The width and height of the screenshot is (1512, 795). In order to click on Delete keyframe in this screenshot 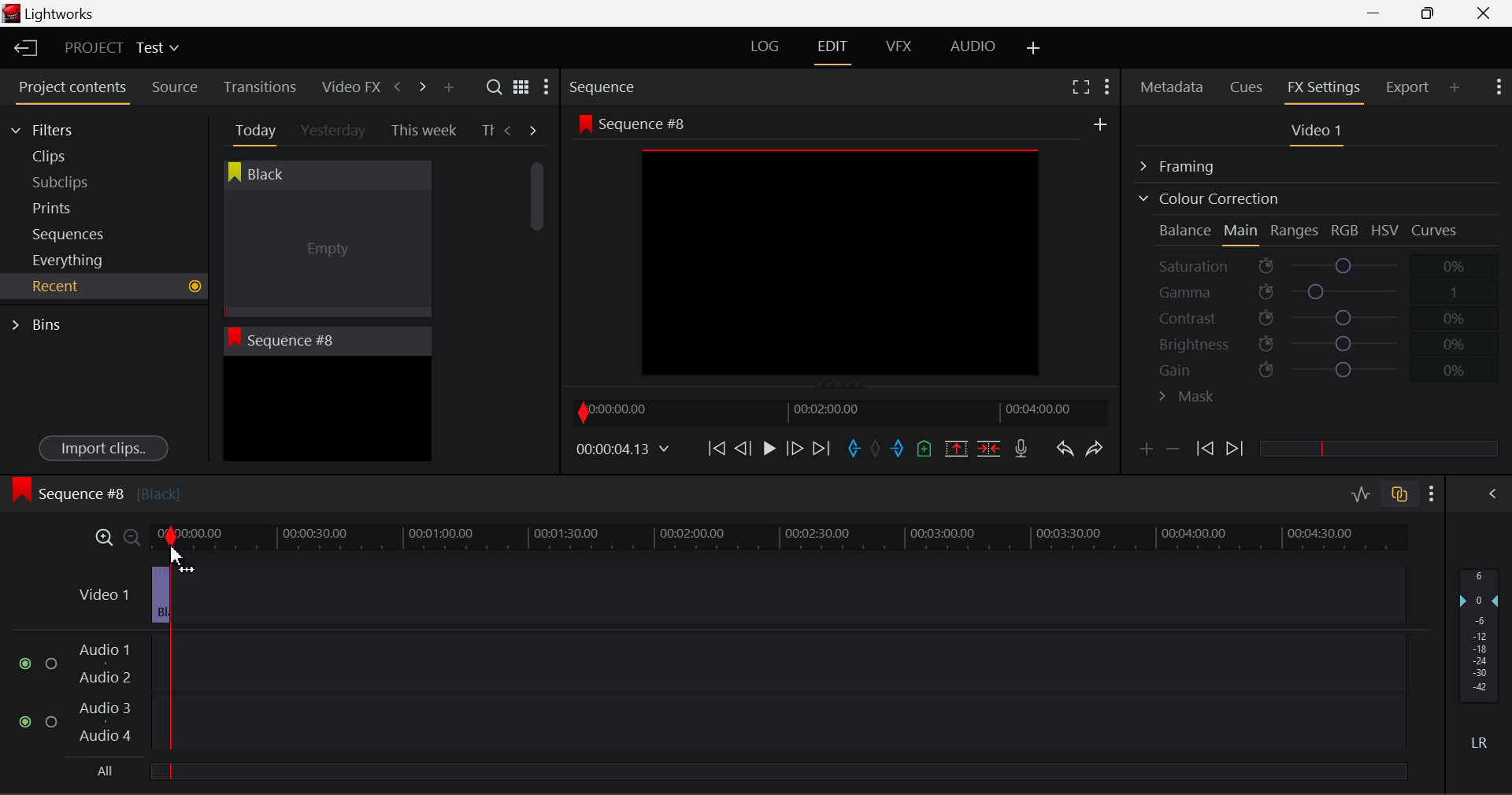, I will do `click(1173, 452)`.